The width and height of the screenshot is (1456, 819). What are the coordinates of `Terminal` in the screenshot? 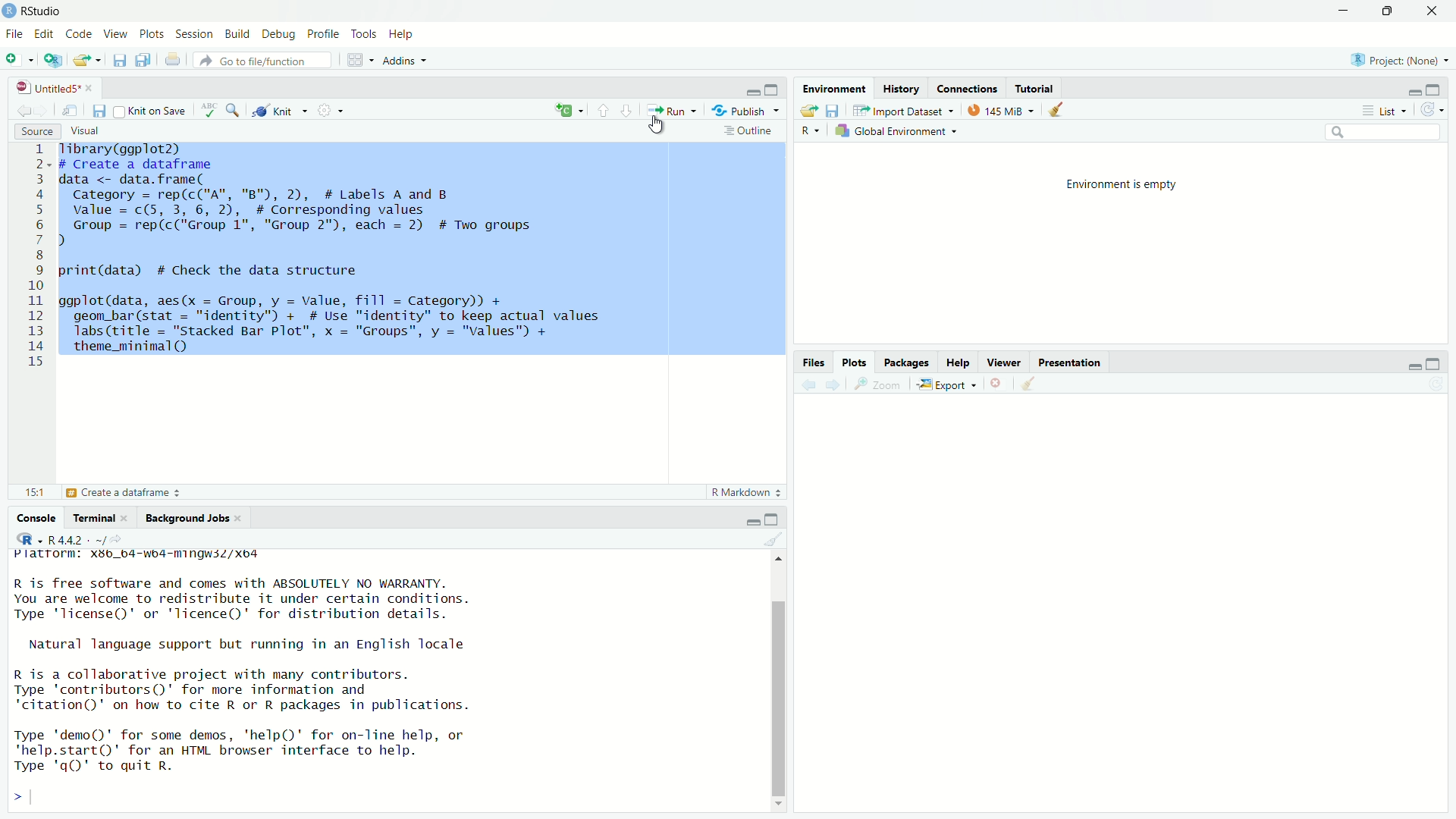 It's located at (101, 516).